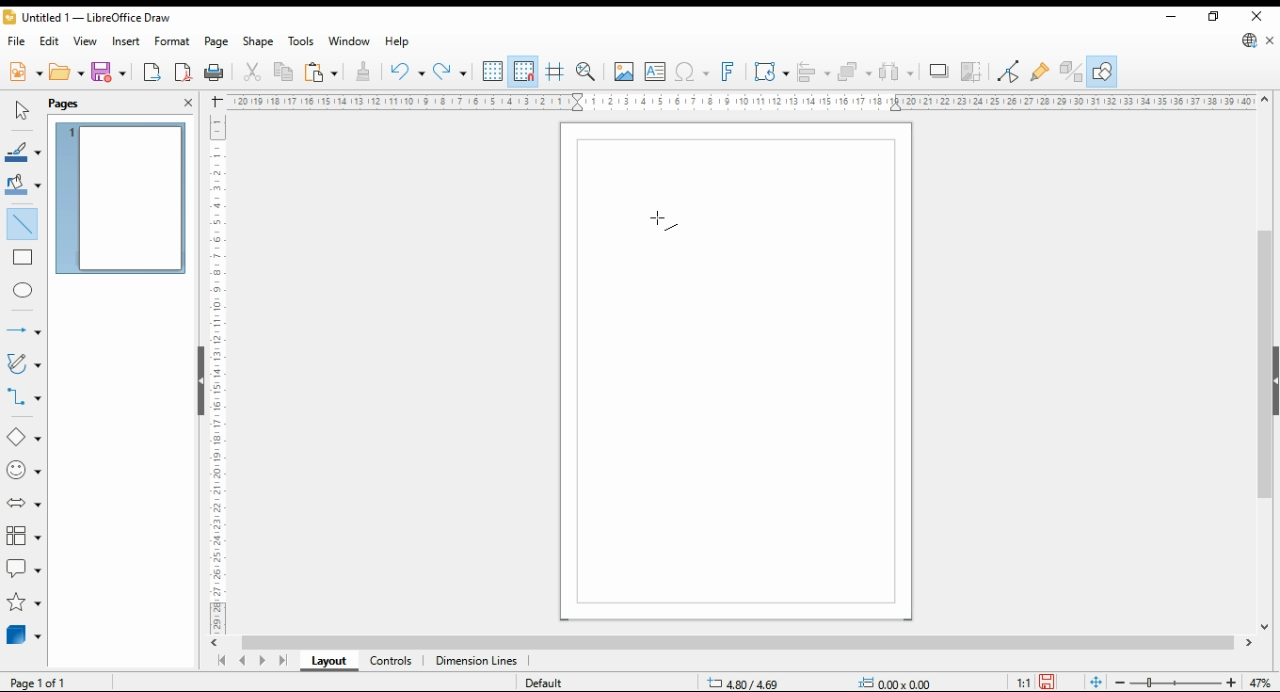 The height and width of the screenshot is (692, 1280). I want to click on next page, so click(266, 661).